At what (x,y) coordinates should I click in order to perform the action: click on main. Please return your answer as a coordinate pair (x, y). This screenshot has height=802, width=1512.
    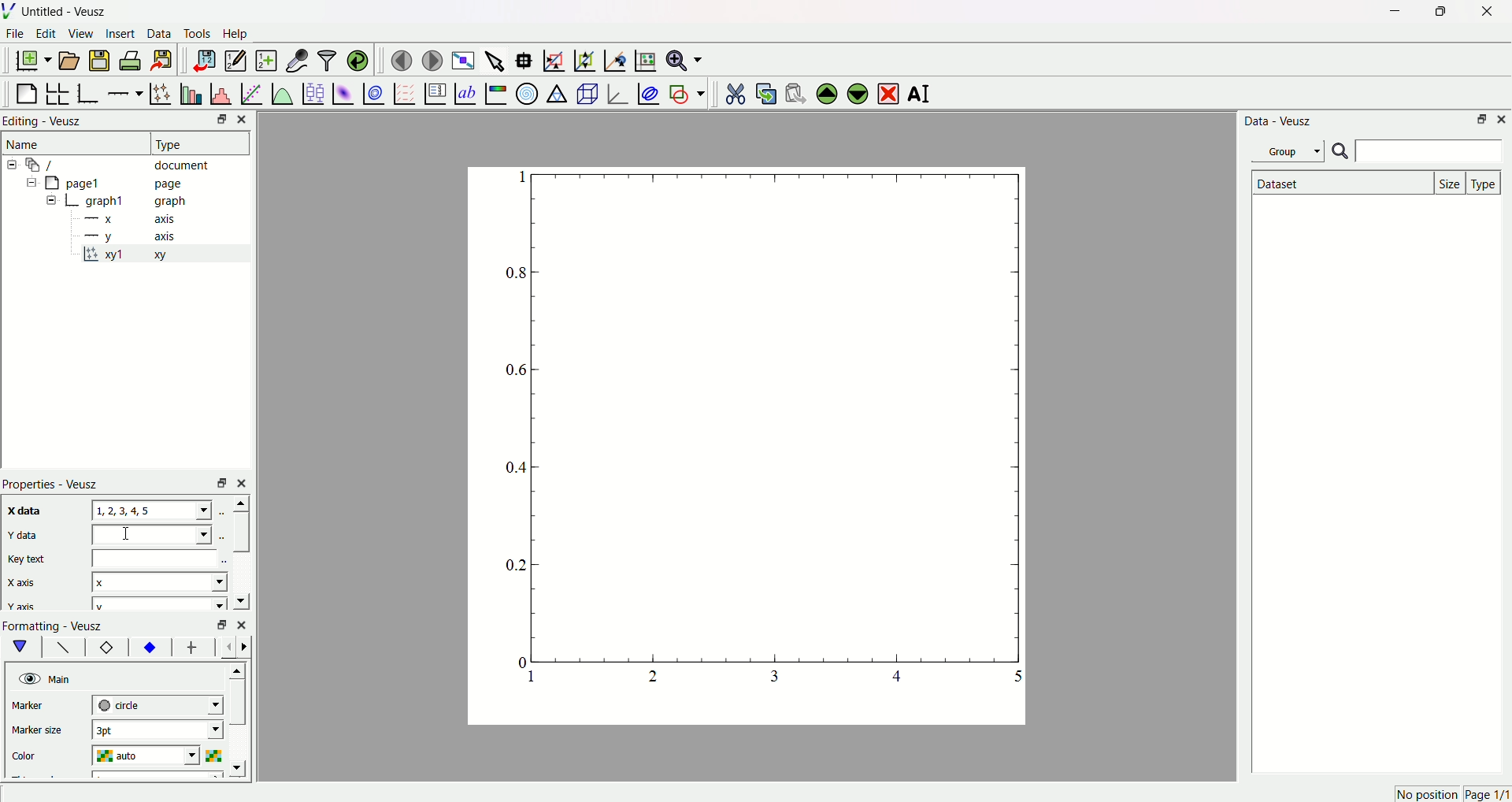
    Looking at the image, I should click on (24, 647).